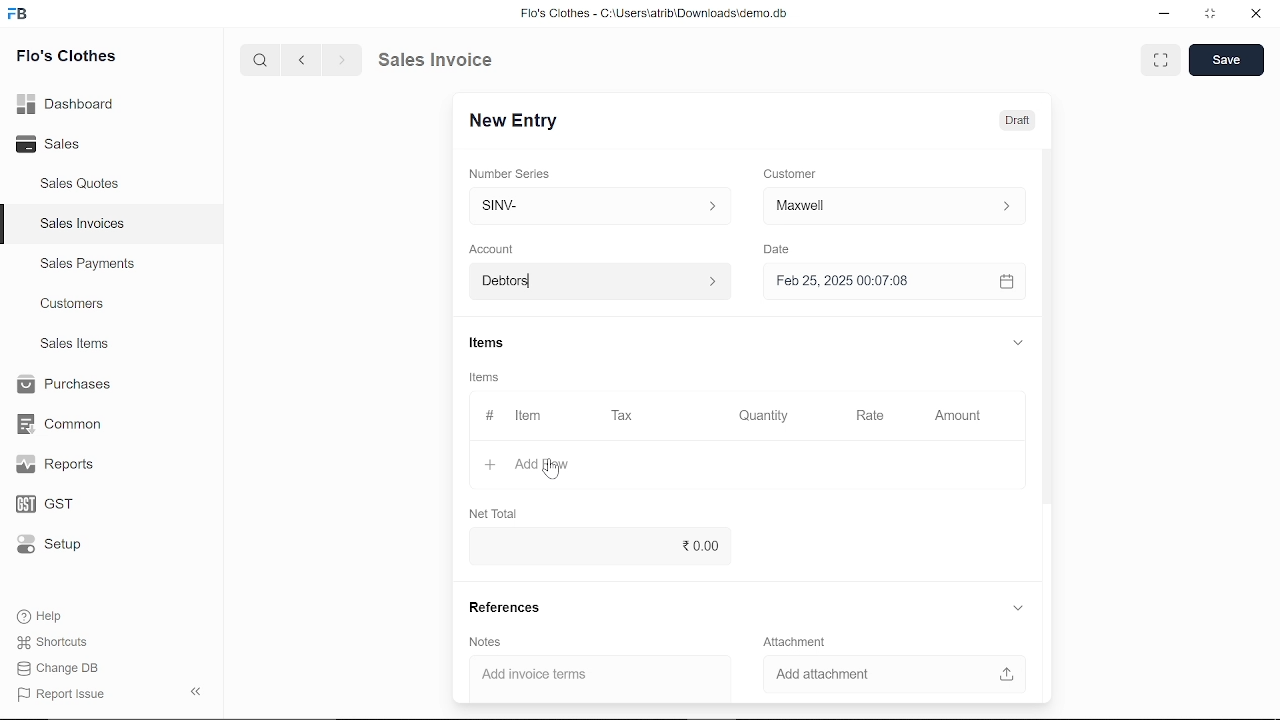 The width and height of the screenshot is (1280, 720). Describe the element at coordinates (1227, 60) in the screenshot. I see `save` at that location.